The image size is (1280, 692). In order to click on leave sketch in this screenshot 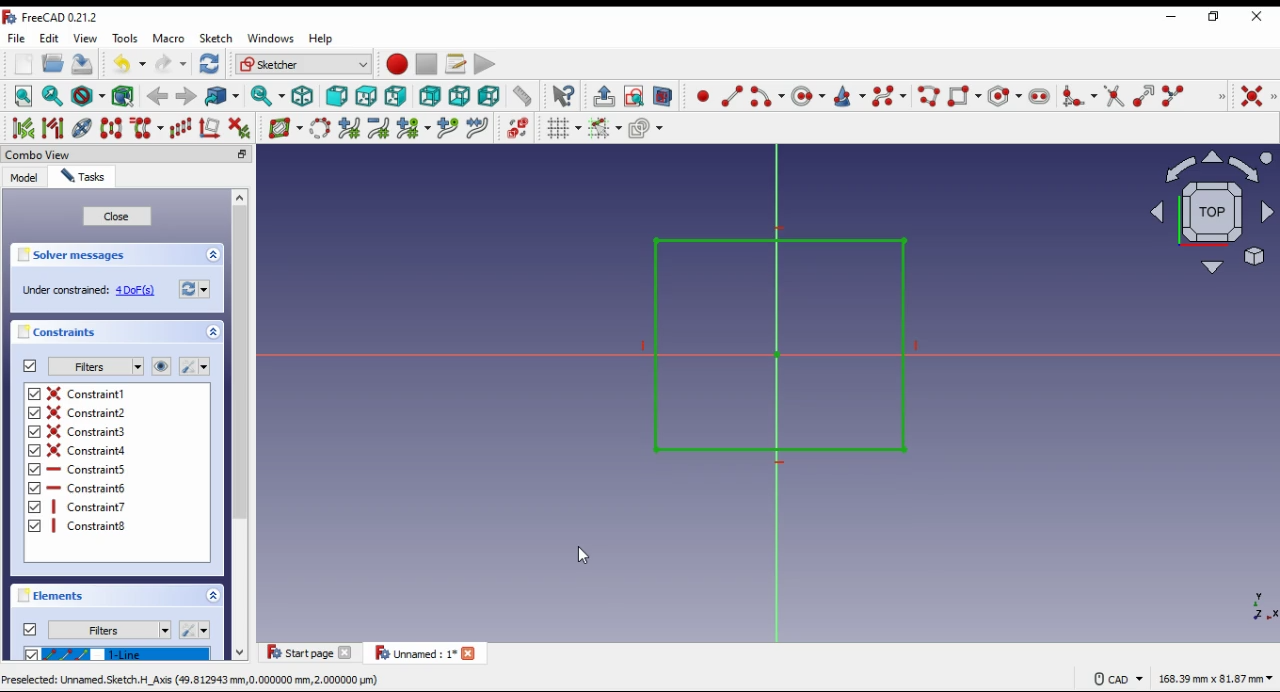, I will do `click(604, 97)`.